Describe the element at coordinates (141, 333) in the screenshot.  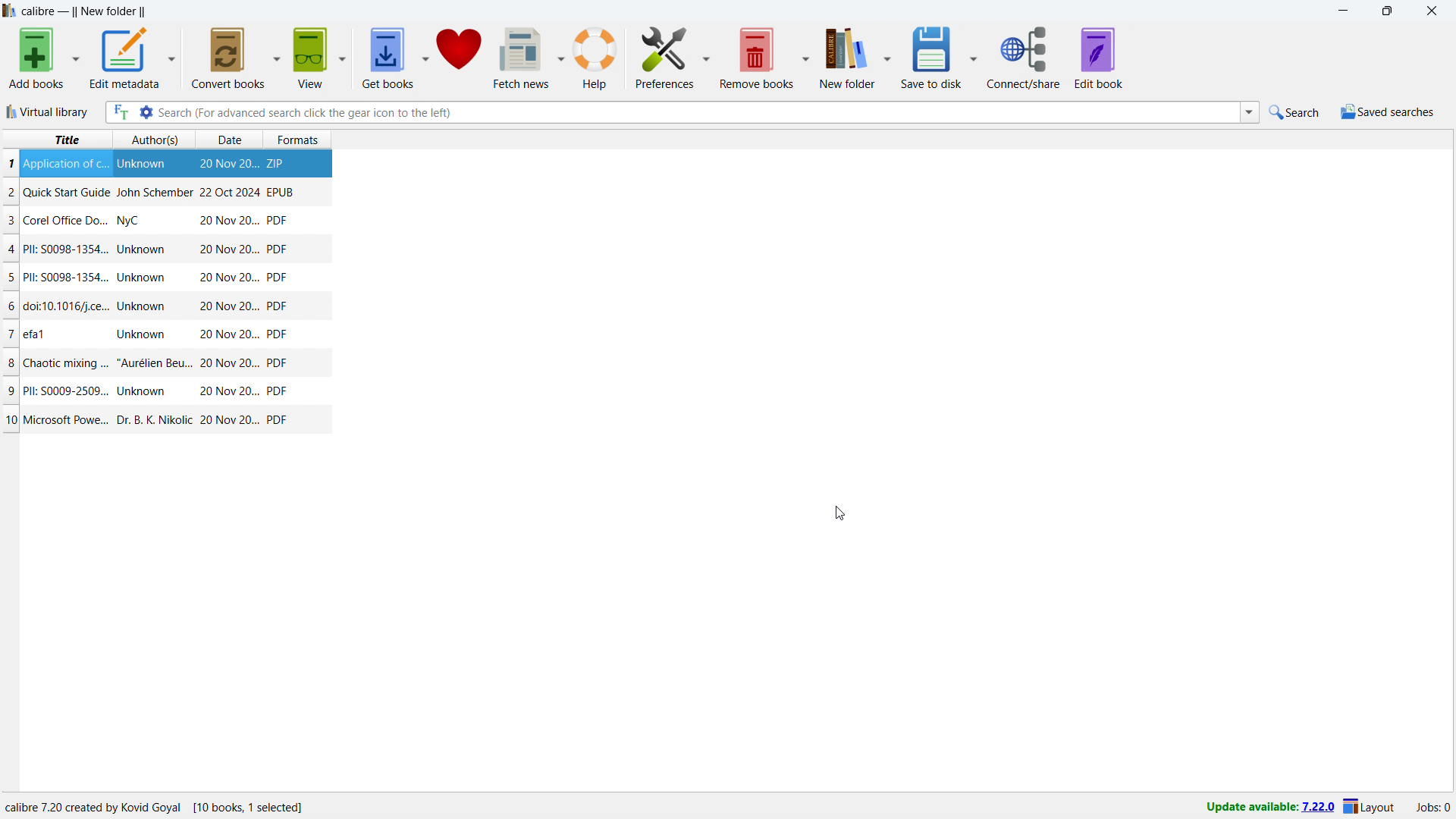
I see `Author` at that location.